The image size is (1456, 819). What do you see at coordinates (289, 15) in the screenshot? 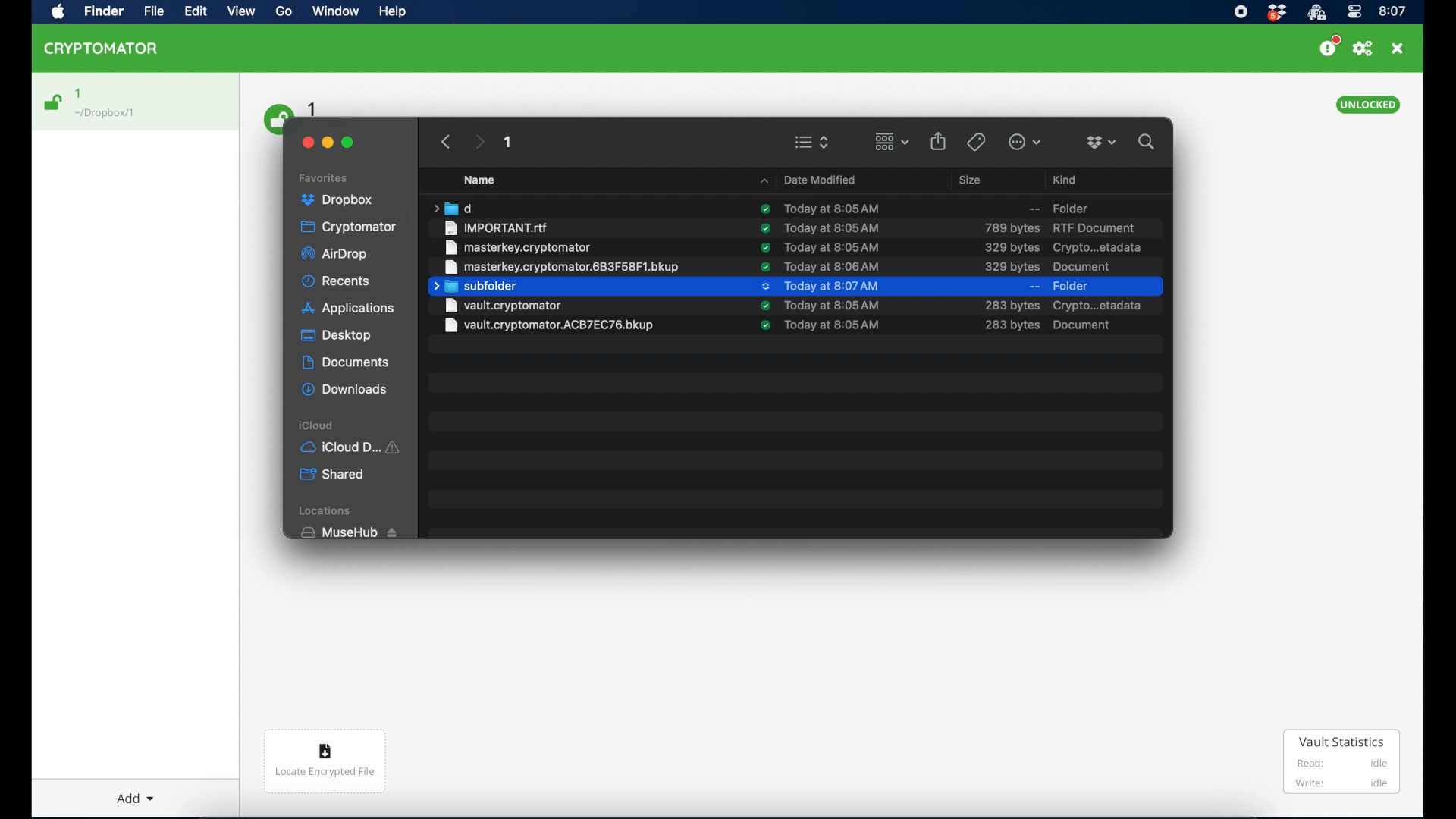
I see `Go` at bounding box center [289, 15].